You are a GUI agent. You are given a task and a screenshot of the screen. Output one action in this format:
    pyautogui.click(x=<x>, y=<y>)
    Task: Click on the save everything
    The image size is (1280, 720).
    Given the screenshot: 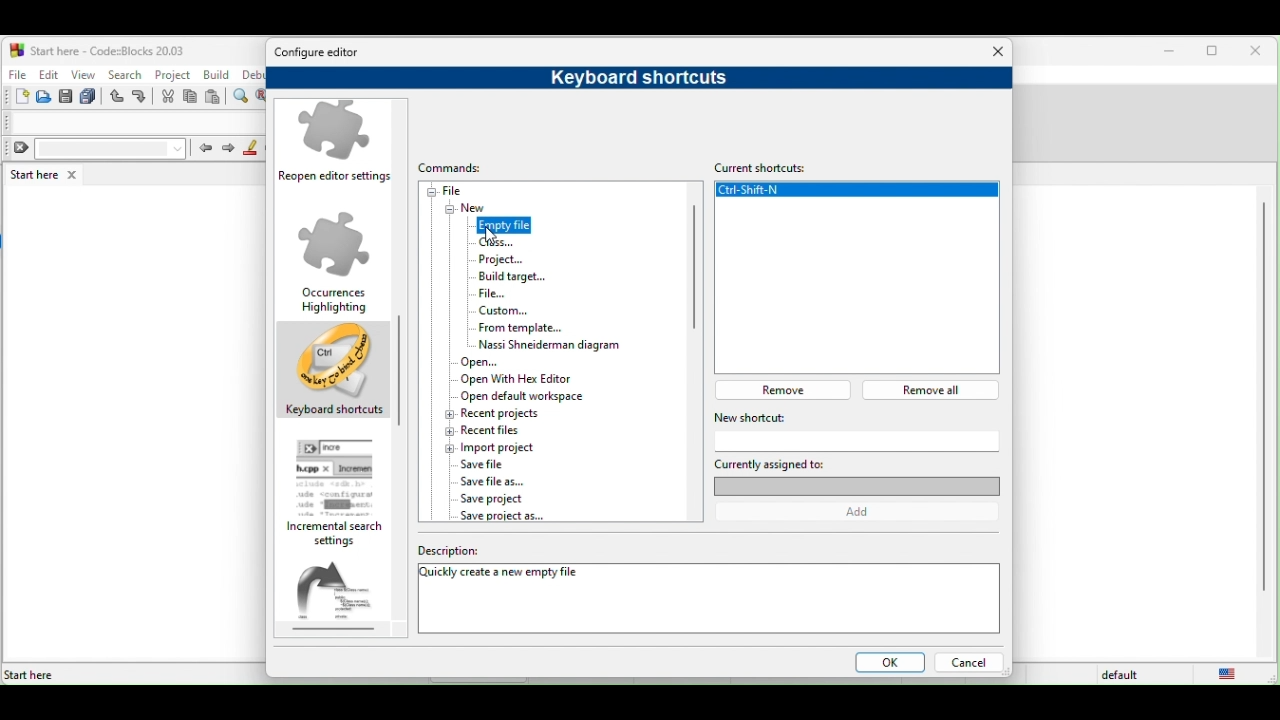 What is the action you would take?
    pyautogui.click(x=90, y=97)
    